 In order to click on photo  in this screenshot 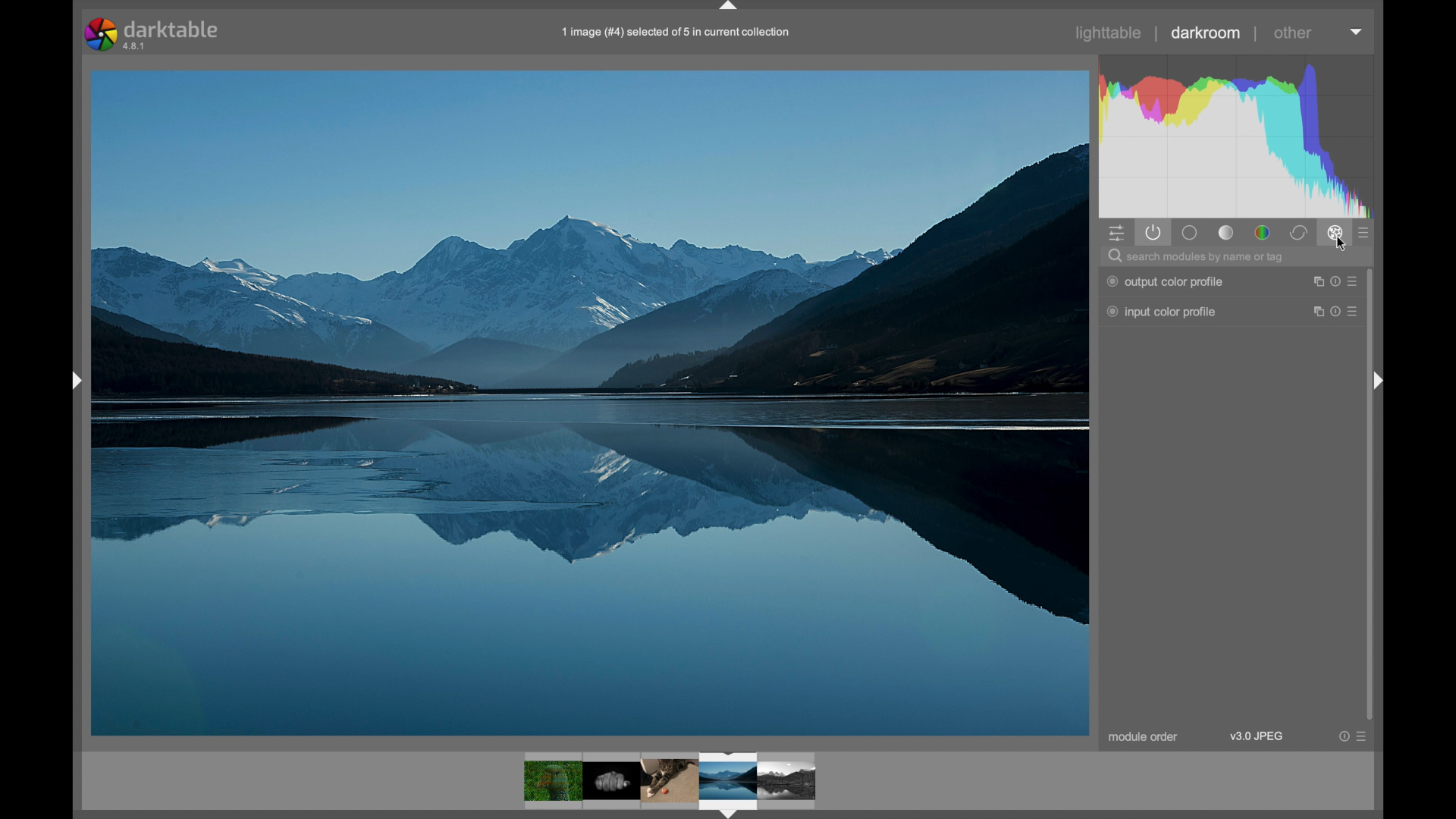, I will do `click(590, 401)`.